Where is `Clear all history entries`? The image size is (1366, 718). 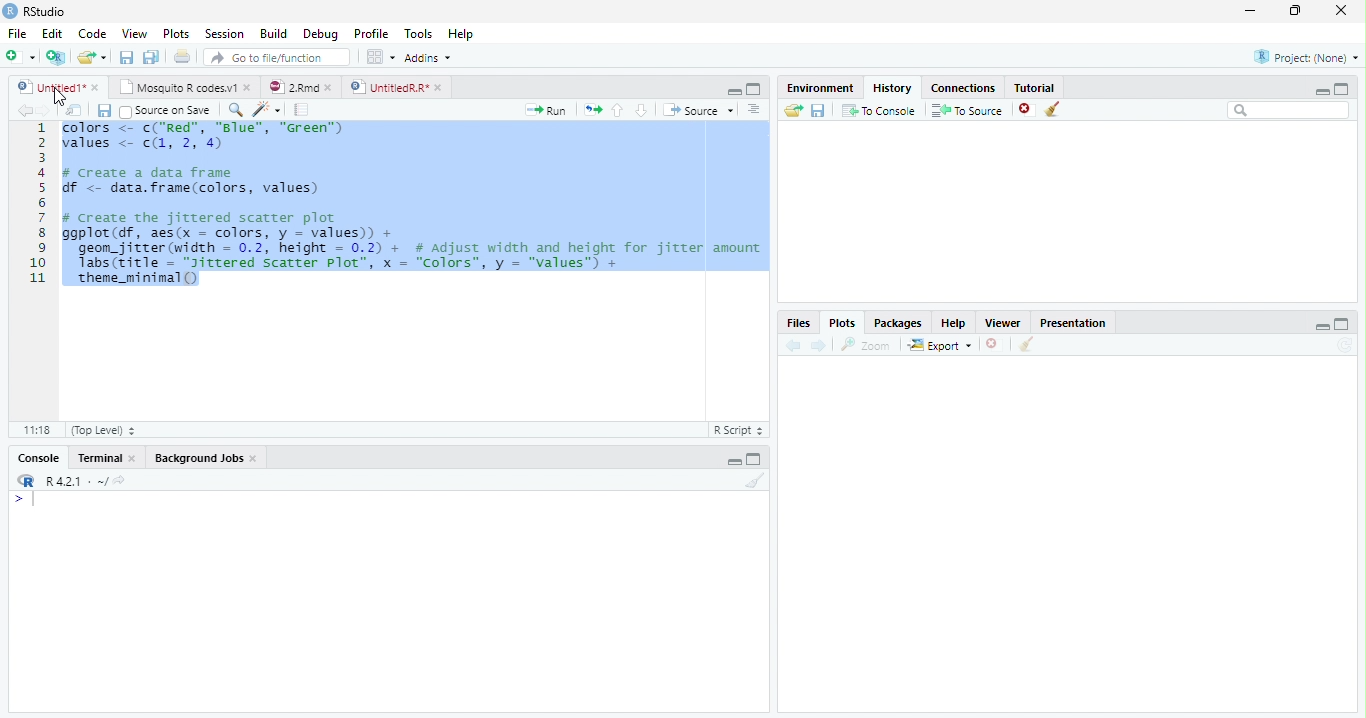 Clear all history entries is located at coordinates (1055, 109).